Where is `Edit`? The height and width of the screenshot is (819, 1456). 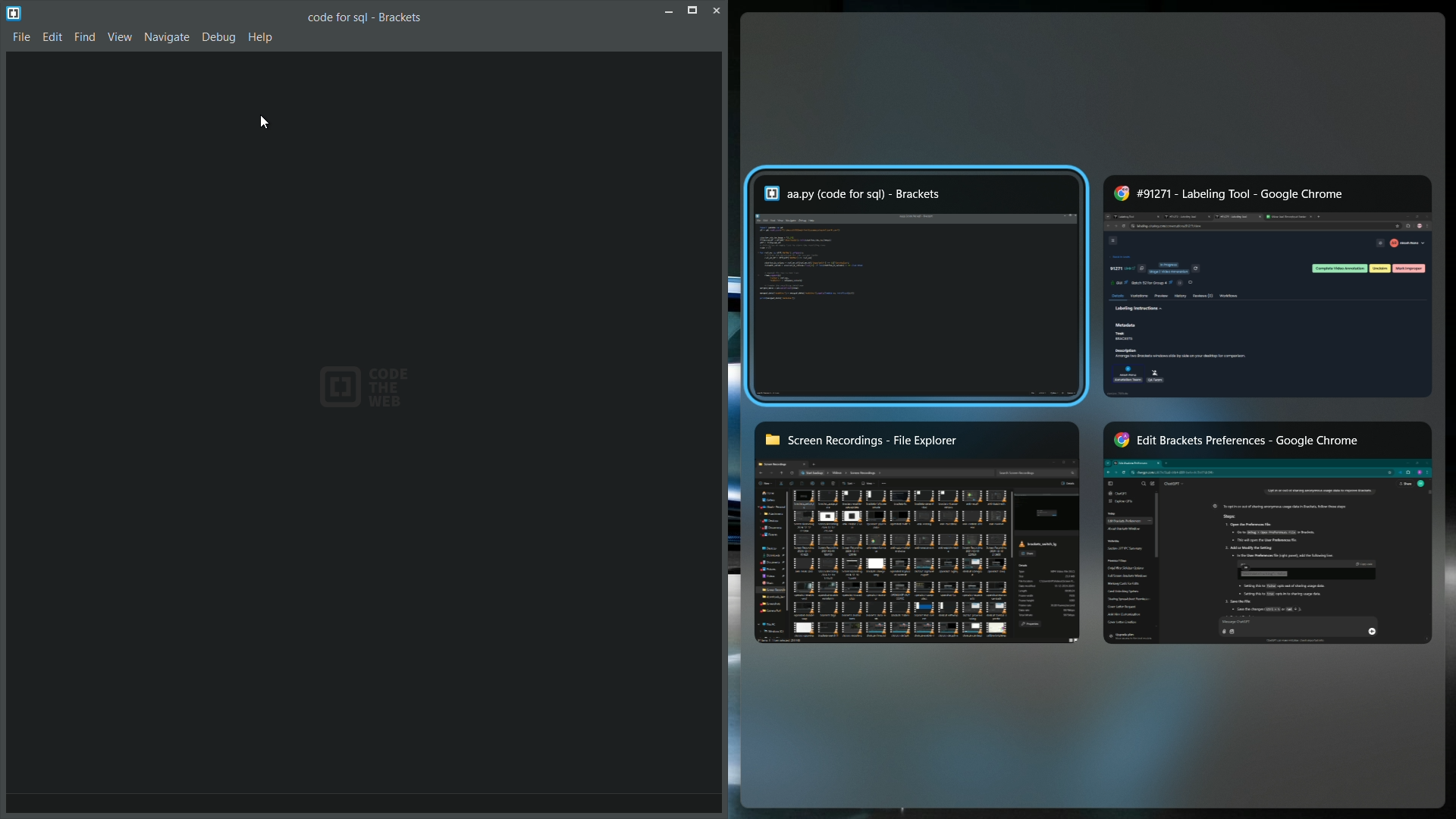
Edit is located at coordinates (53, 37).